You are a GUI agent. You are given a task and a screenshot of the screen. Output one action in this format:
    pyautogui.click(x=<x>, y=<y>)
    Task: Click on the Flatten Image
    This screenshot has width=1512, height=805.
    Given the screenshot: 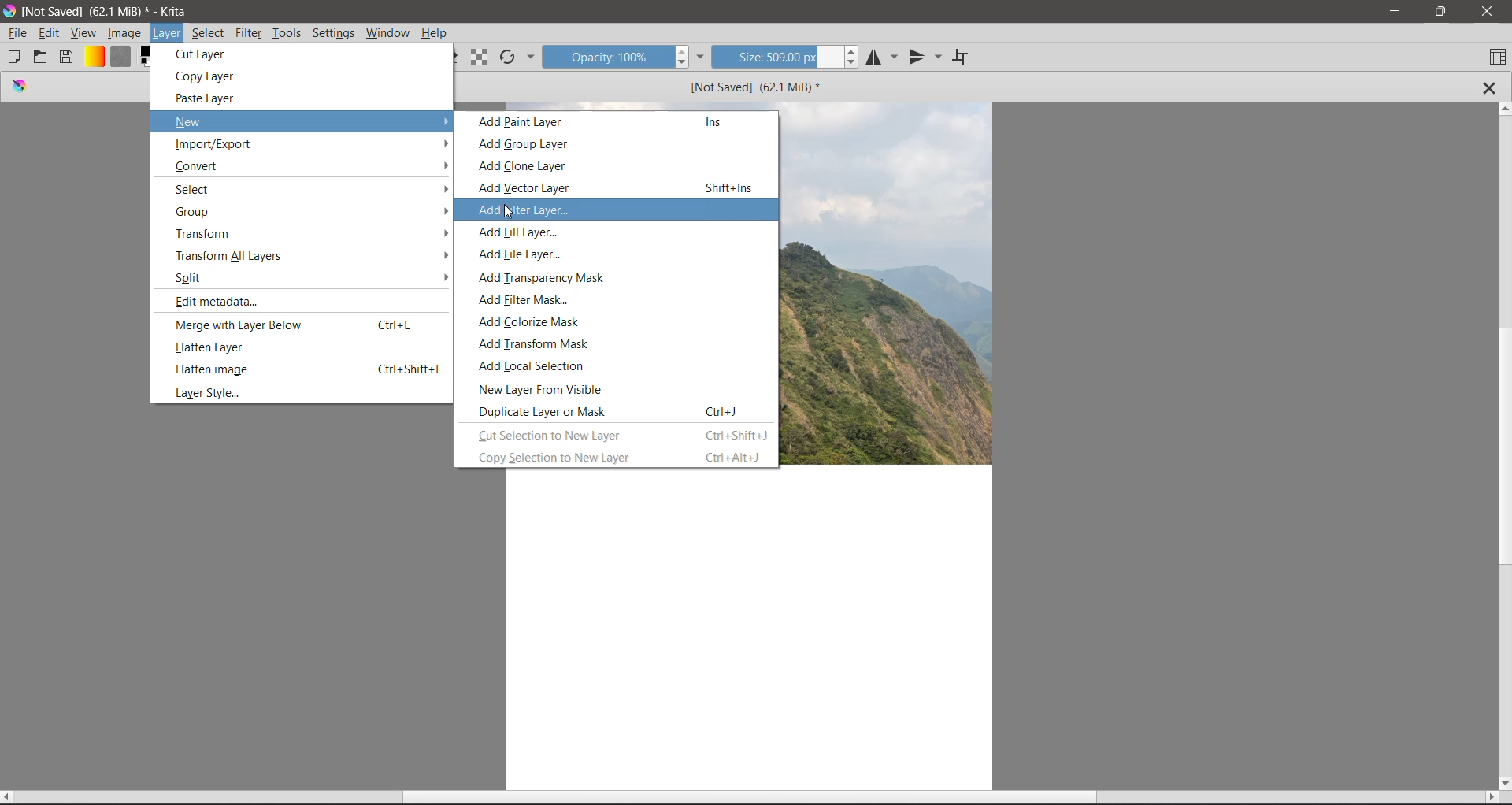 What is the action you would take?
    pyautogui.click(x=309, y=369)
    